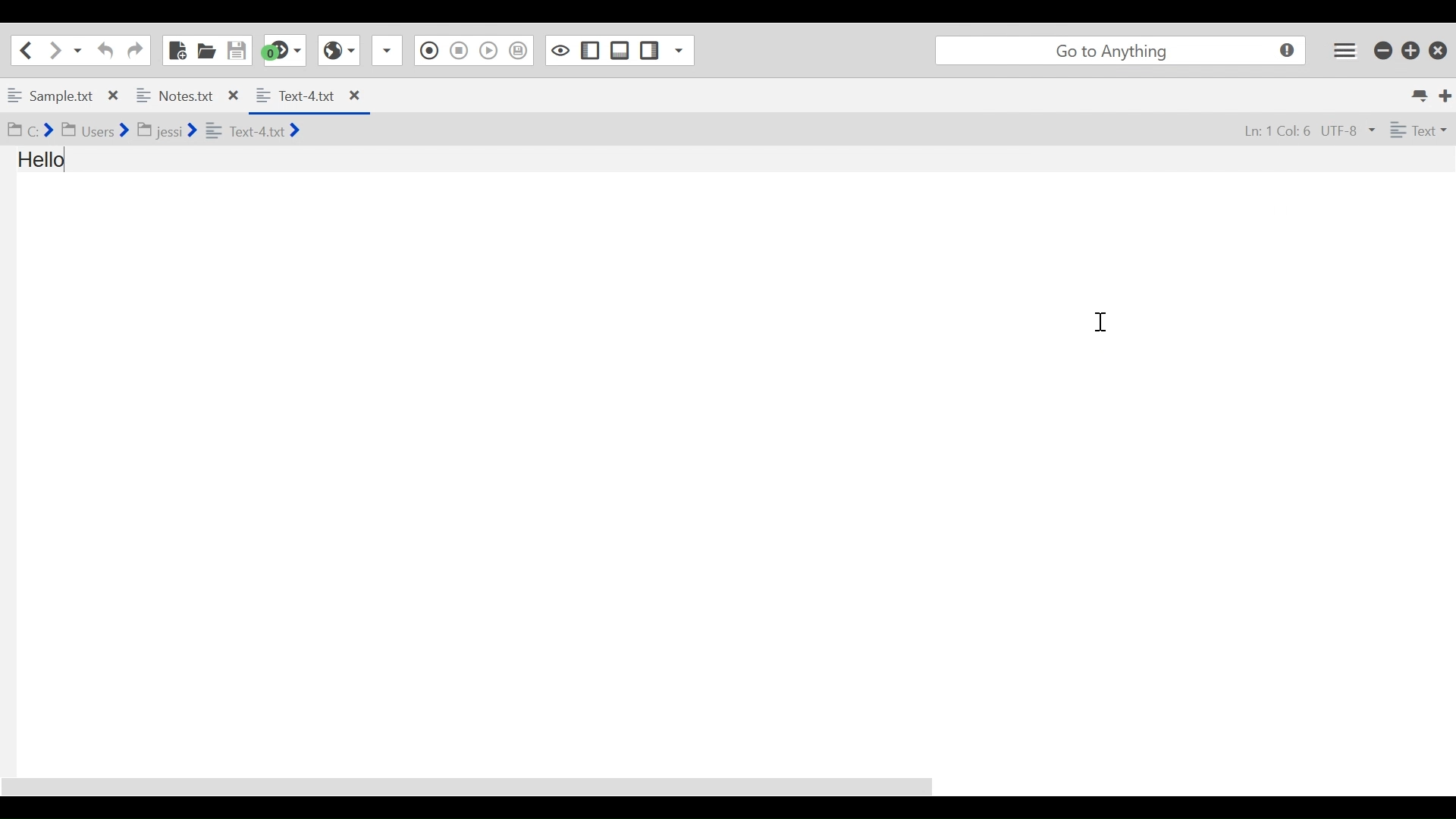  Describe the element at coordinates (590, 51) in the screenshot. I see `Show/Hide Left Pane` at that location.